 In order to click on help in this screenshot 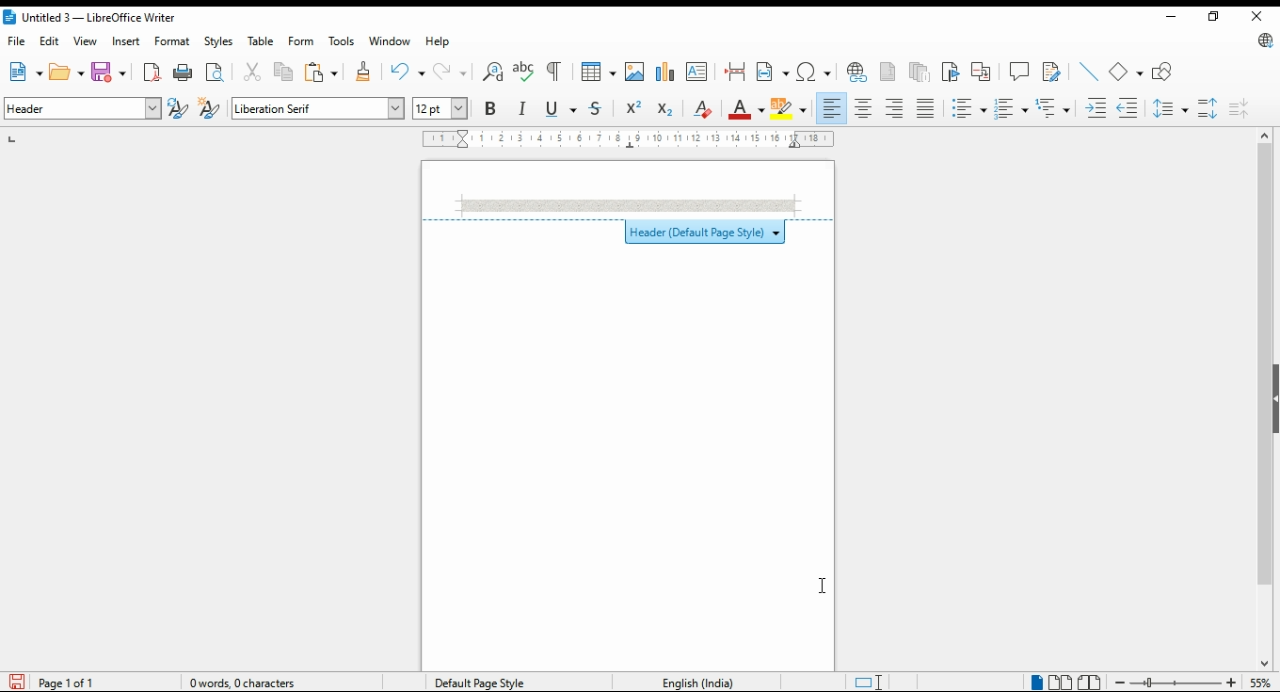, I will do `click(439, 41)`.